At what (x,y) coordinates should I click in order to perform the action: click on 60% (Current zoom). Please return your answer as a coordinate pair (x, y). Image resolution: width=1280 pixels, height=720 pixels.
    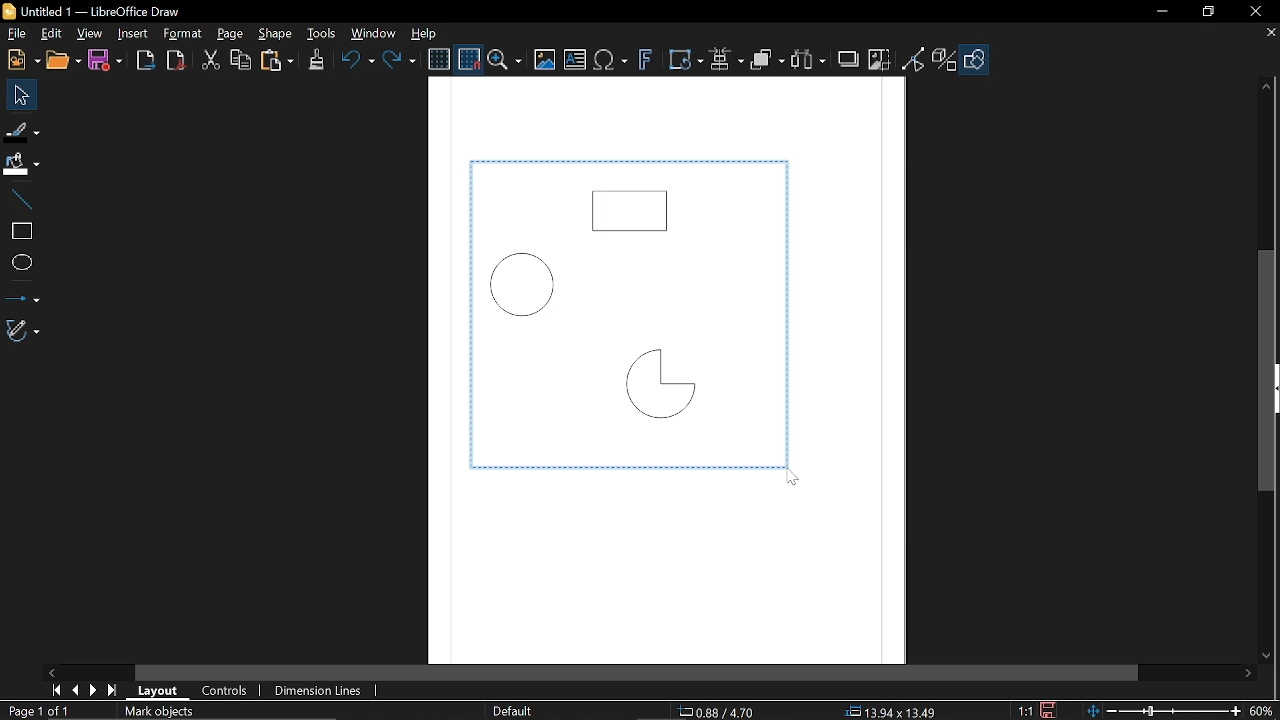
    Looking at the image, I should click on (1261, 710).